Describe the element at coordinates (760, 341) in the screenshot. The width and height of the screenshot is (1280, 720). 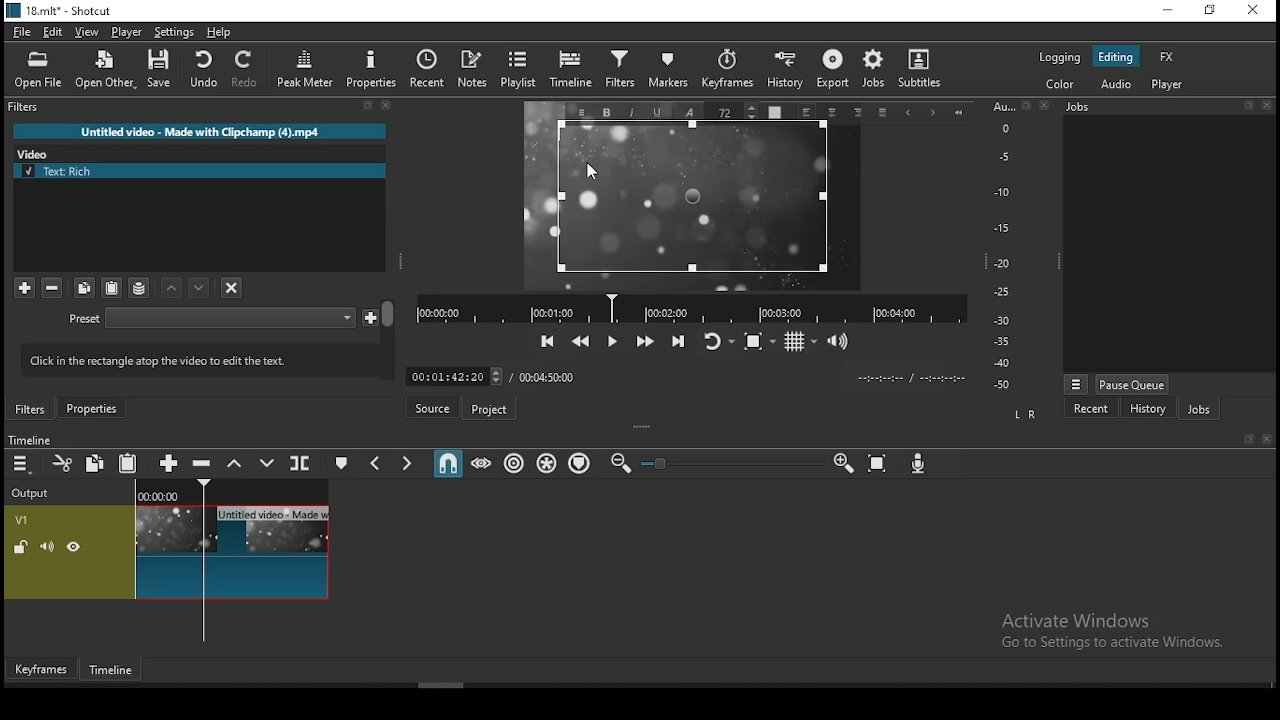
I see `toggle zoom` at that location.